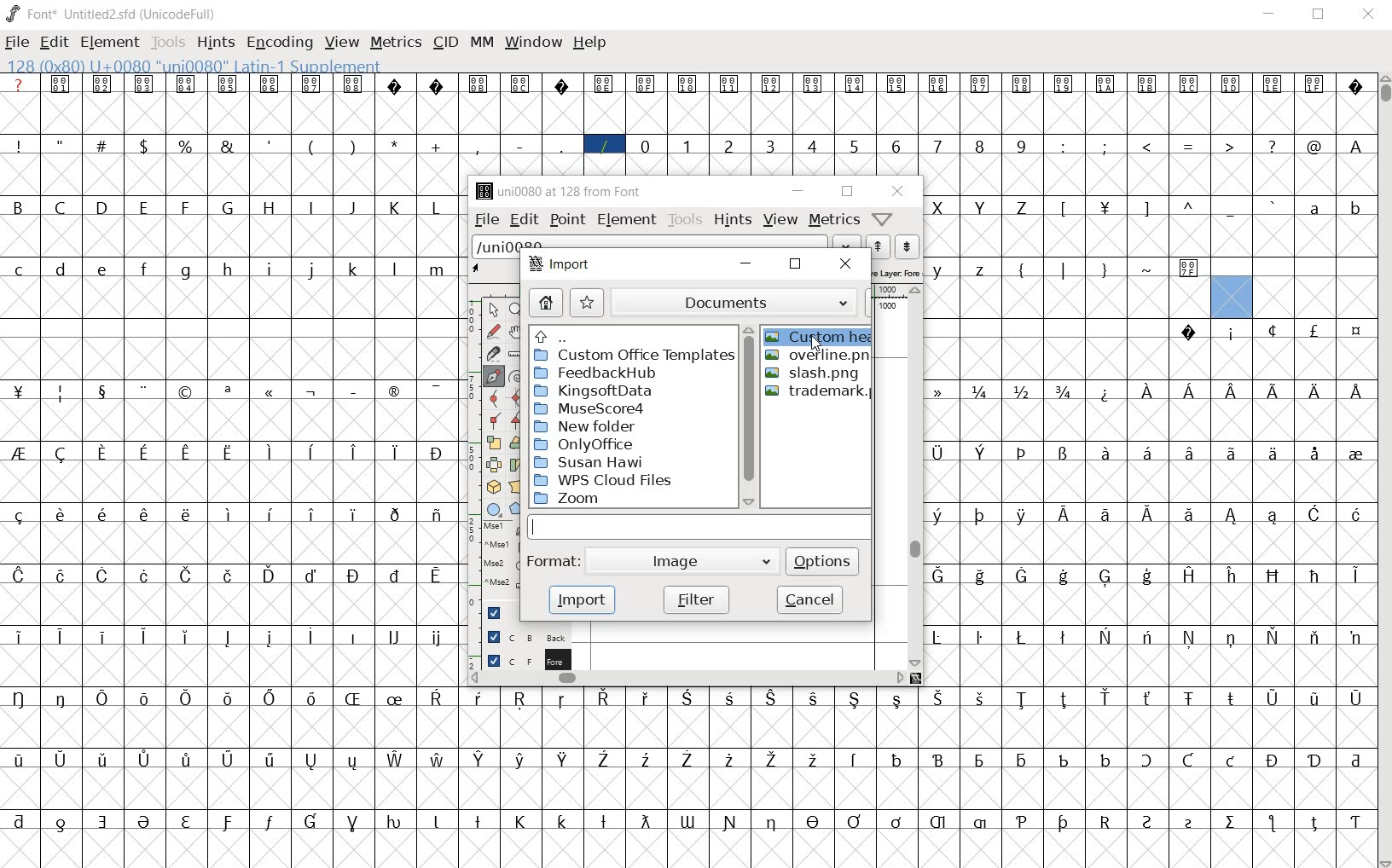  I want to click on glyph, so click(1231, 761).